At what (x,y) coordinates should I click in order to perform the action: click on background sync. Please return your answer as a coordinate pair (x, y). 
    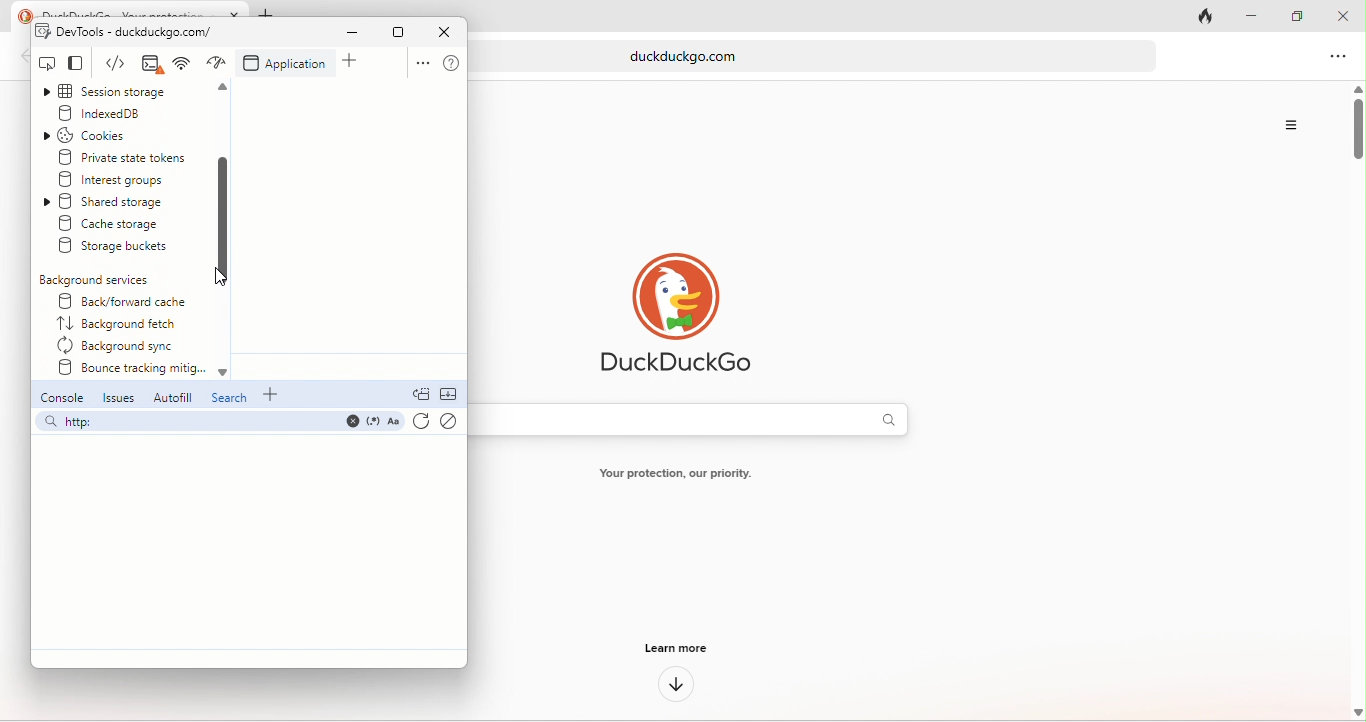
    Looking at the image, I should click on (120, 346).